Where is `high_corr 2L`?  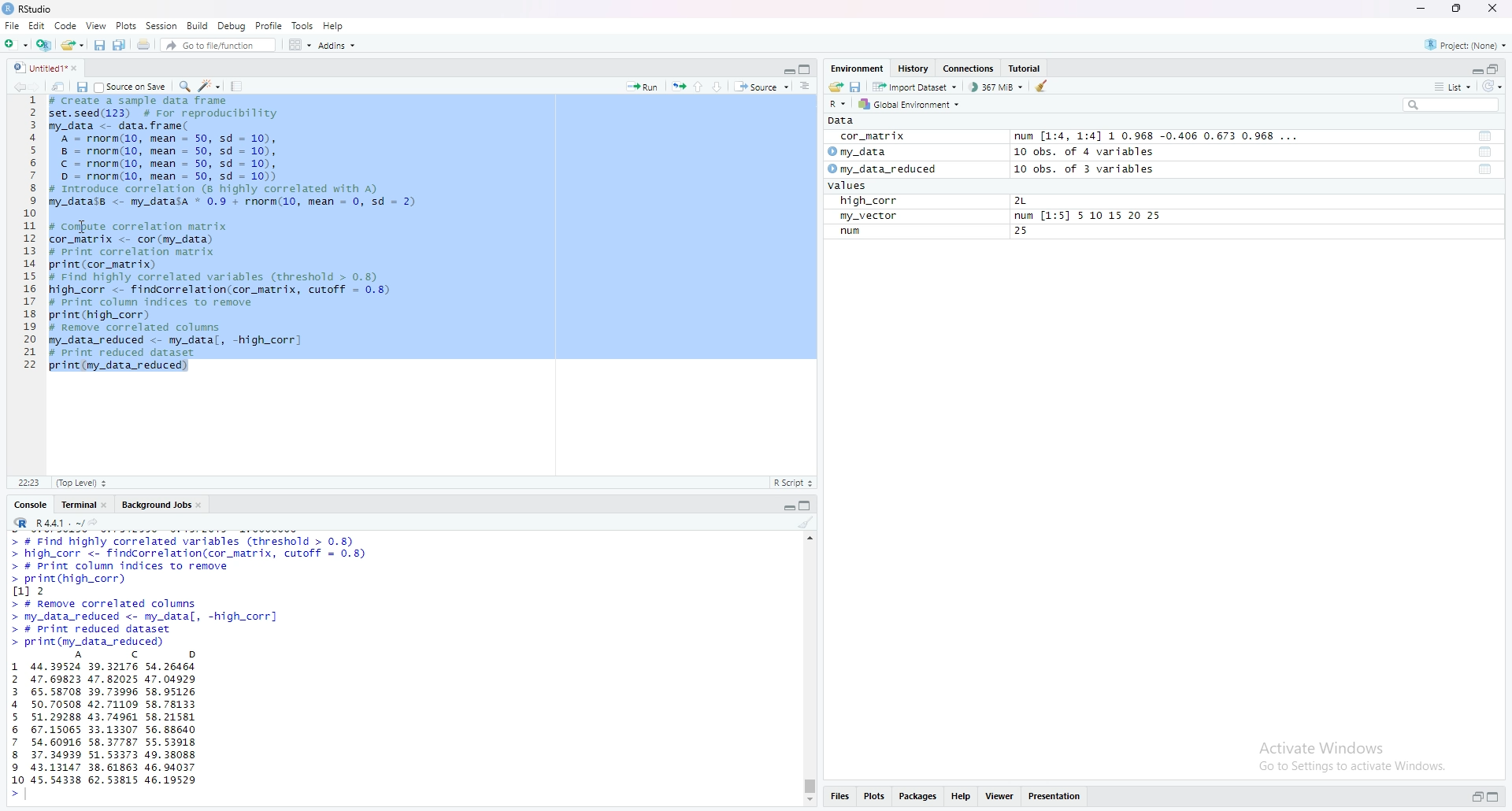
high_corr 2L is located at coordinates (943, 202).